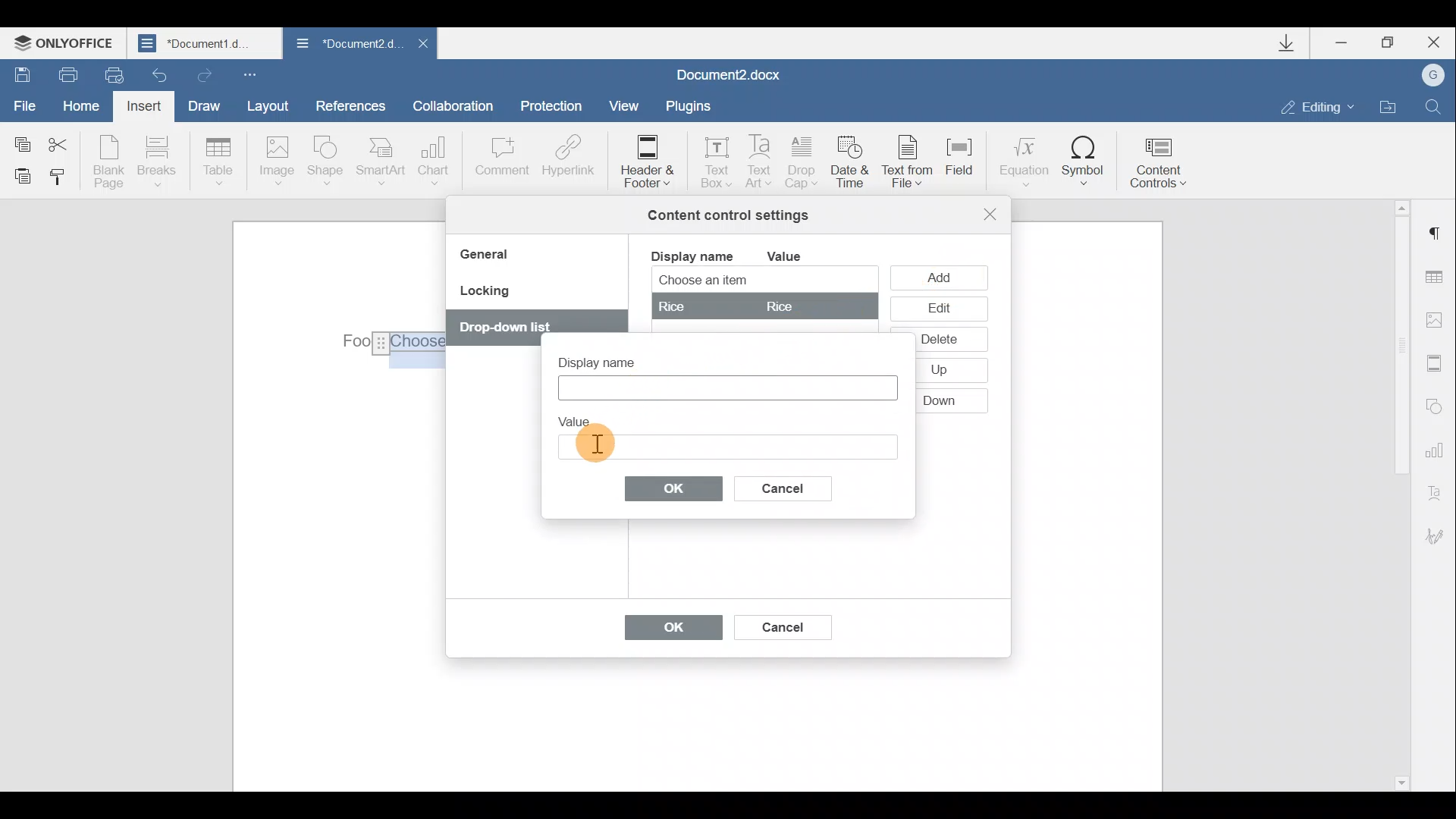 The width and height of the screenshot is (1456, 819). What do you see at coordinates (1432, 42) in the screenshot?
I see `Close` at bounding box center [1432, 42].